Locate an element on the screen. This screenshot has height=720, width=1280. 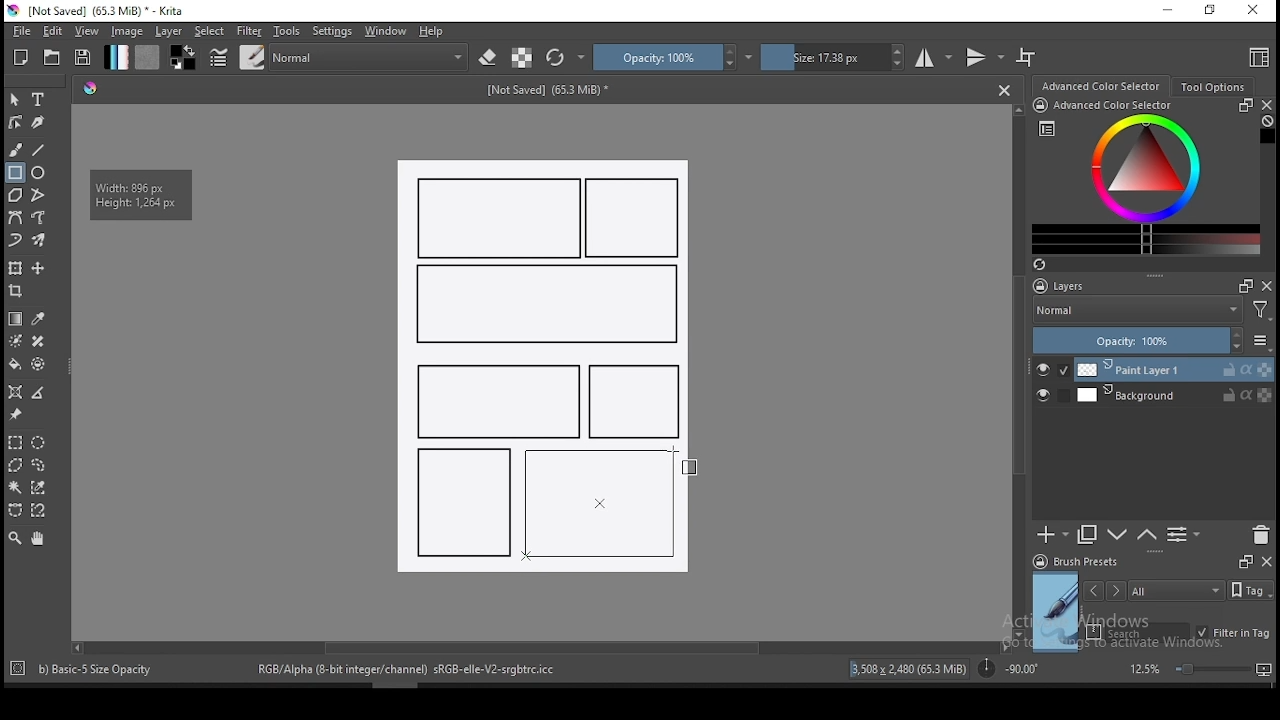
select is located at coordinates (210, 31).